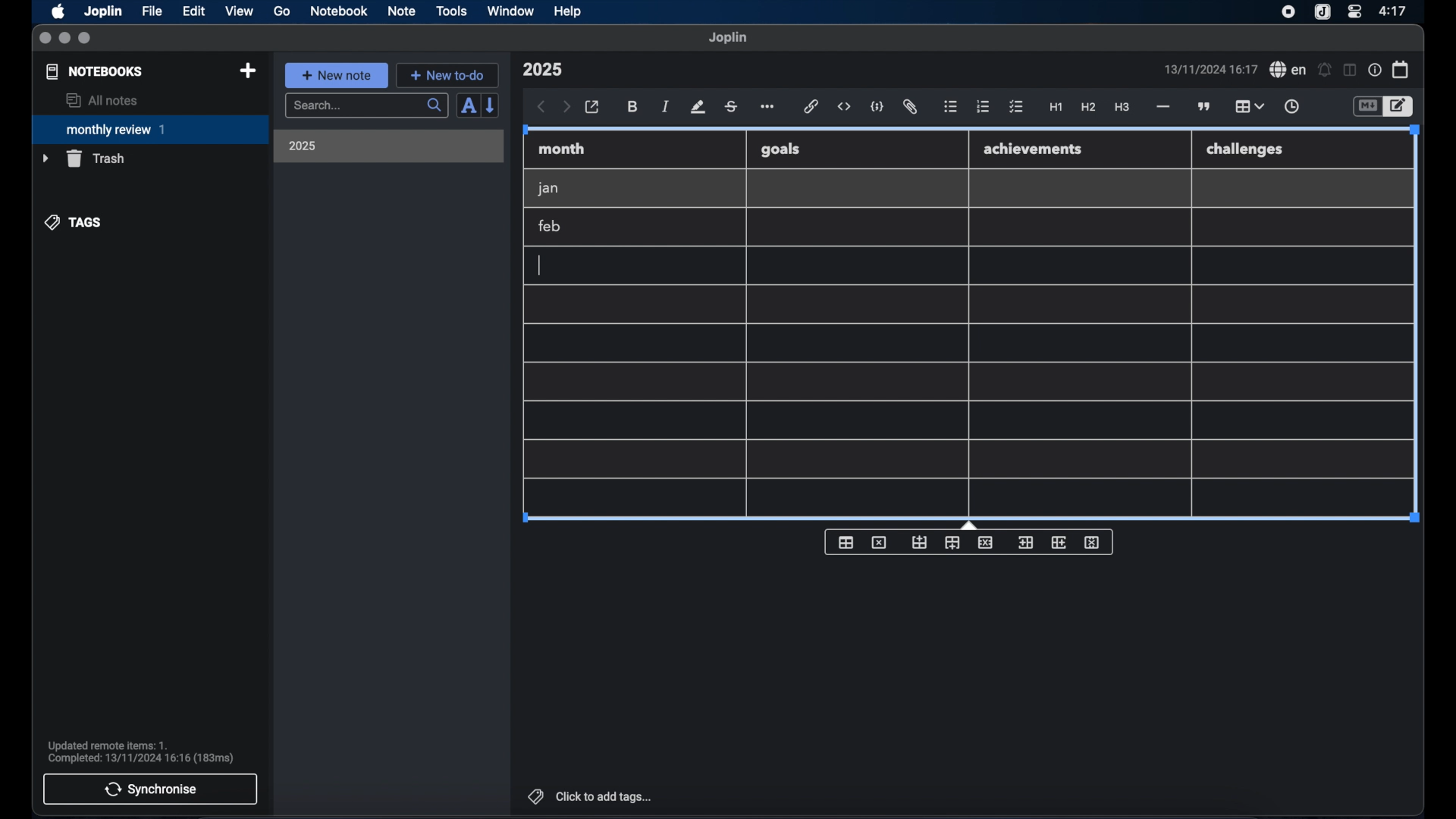 The width and height of the screenshot is (1456, 819). I want to click on tools, so click(451, 11).